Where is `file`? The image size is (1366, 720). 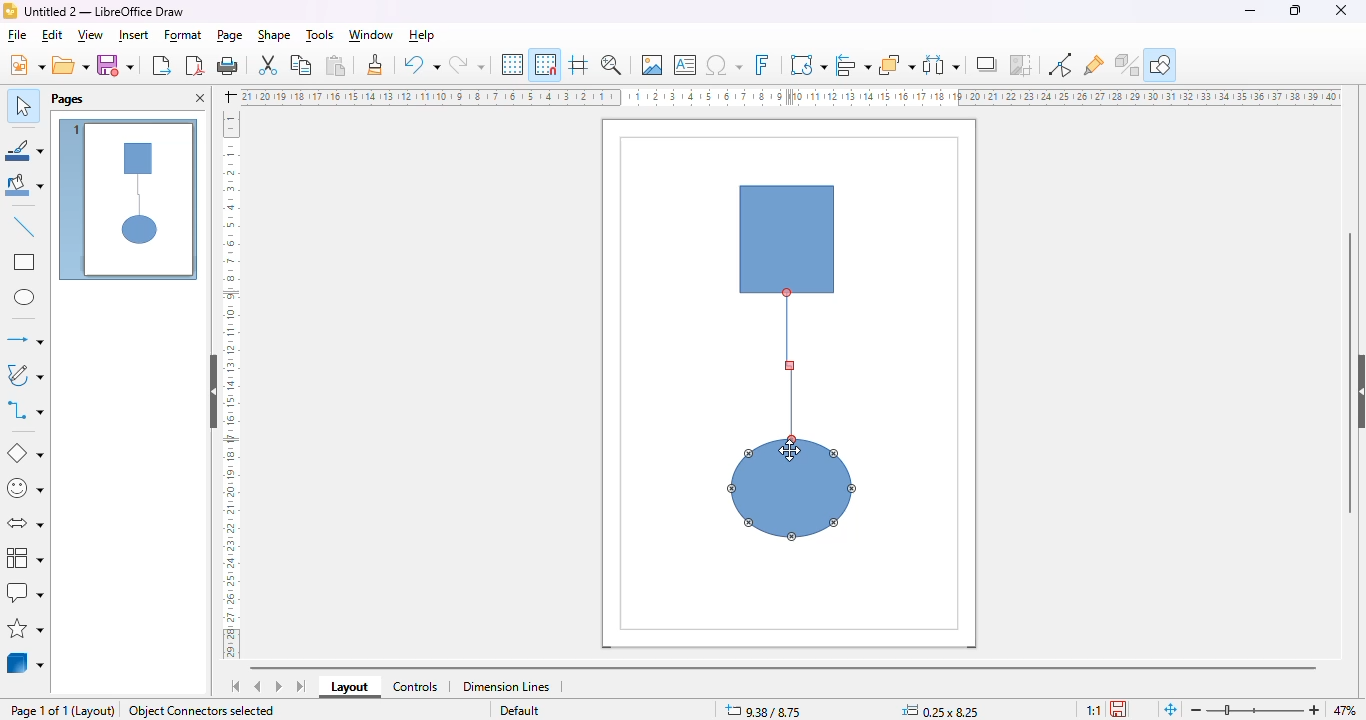
file is located at coordinates (18, 36).